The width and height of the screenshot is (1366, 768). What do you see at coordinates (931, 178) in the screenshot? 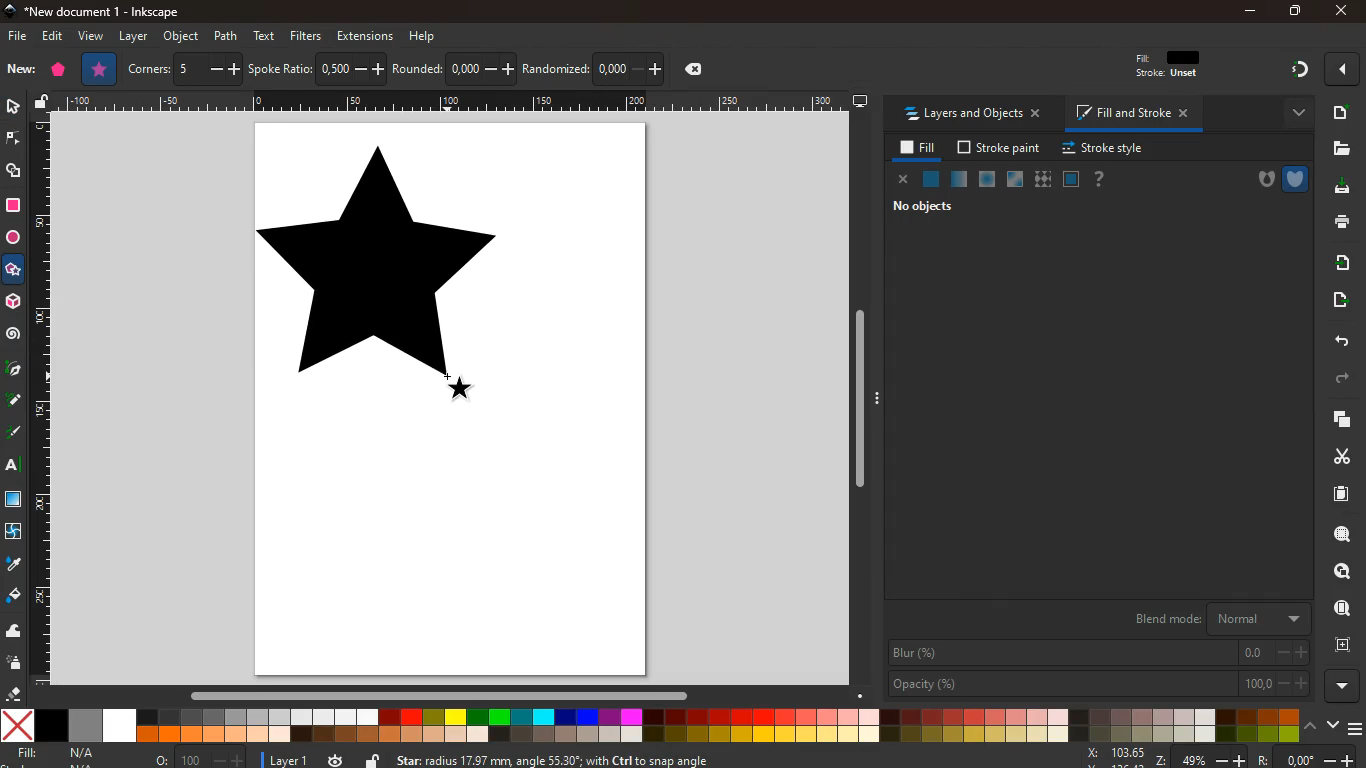
I see `normal` at bounding box center [931, 178].